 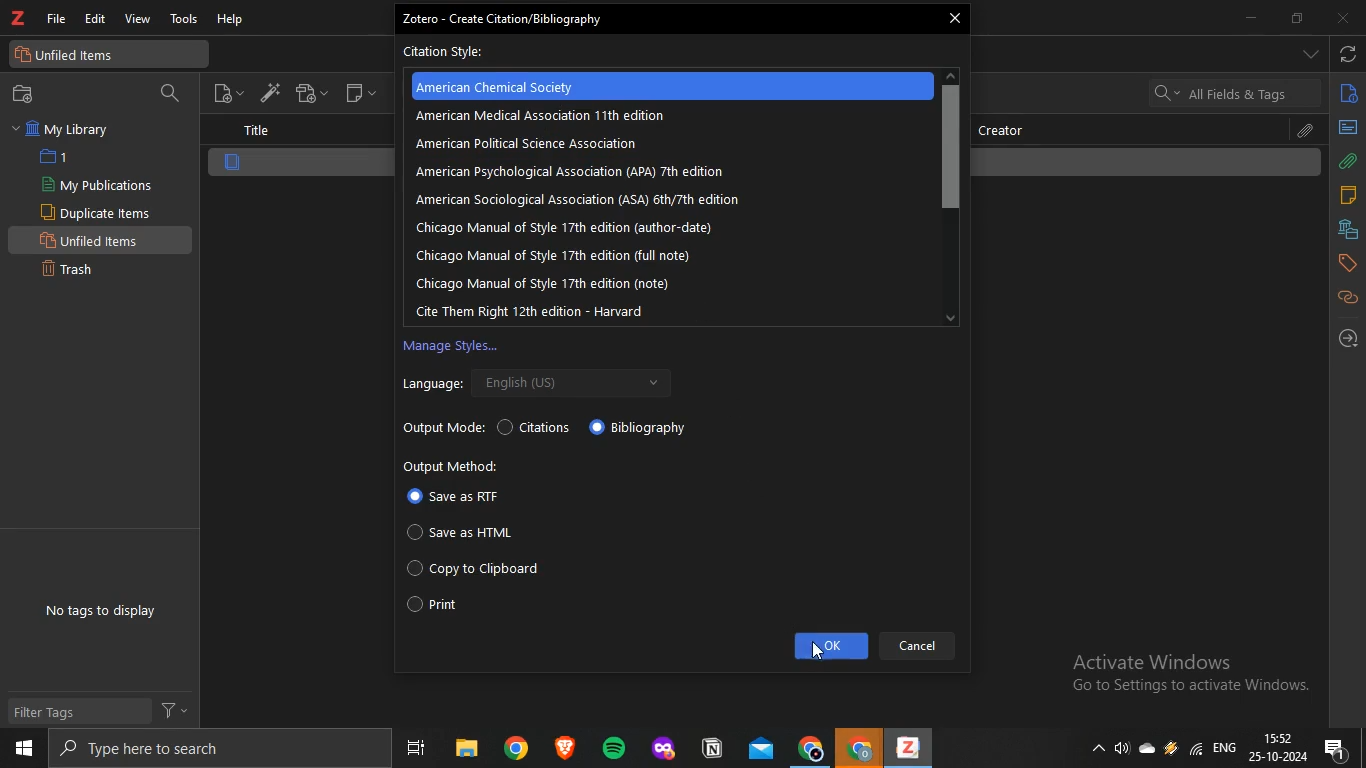 What do you see at coordinates (1349, 97) in the screenshot?
I see `info` at bounding box center [1349, 97].